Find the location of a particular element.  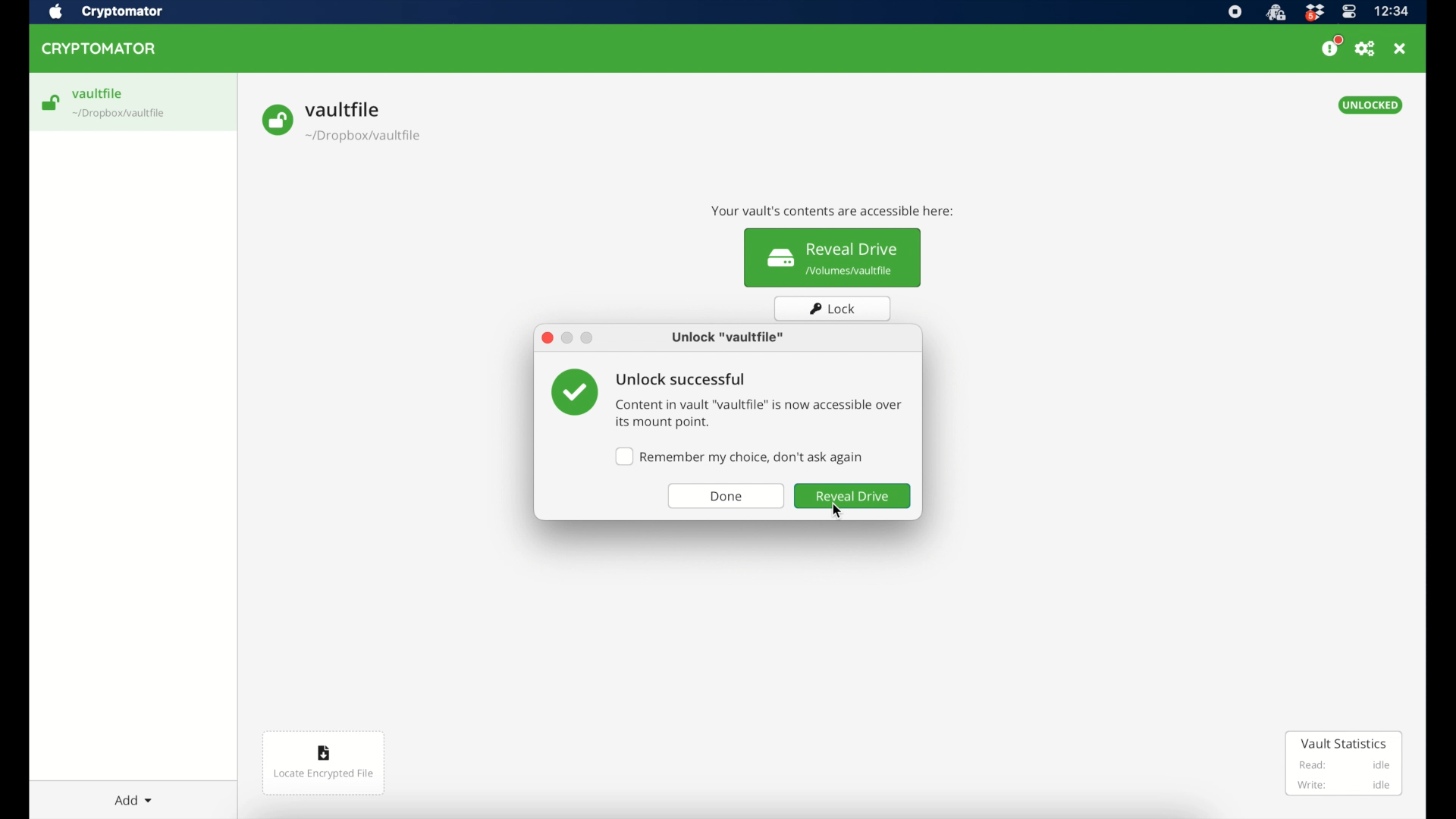

close is located at coordinates (1402, 48).